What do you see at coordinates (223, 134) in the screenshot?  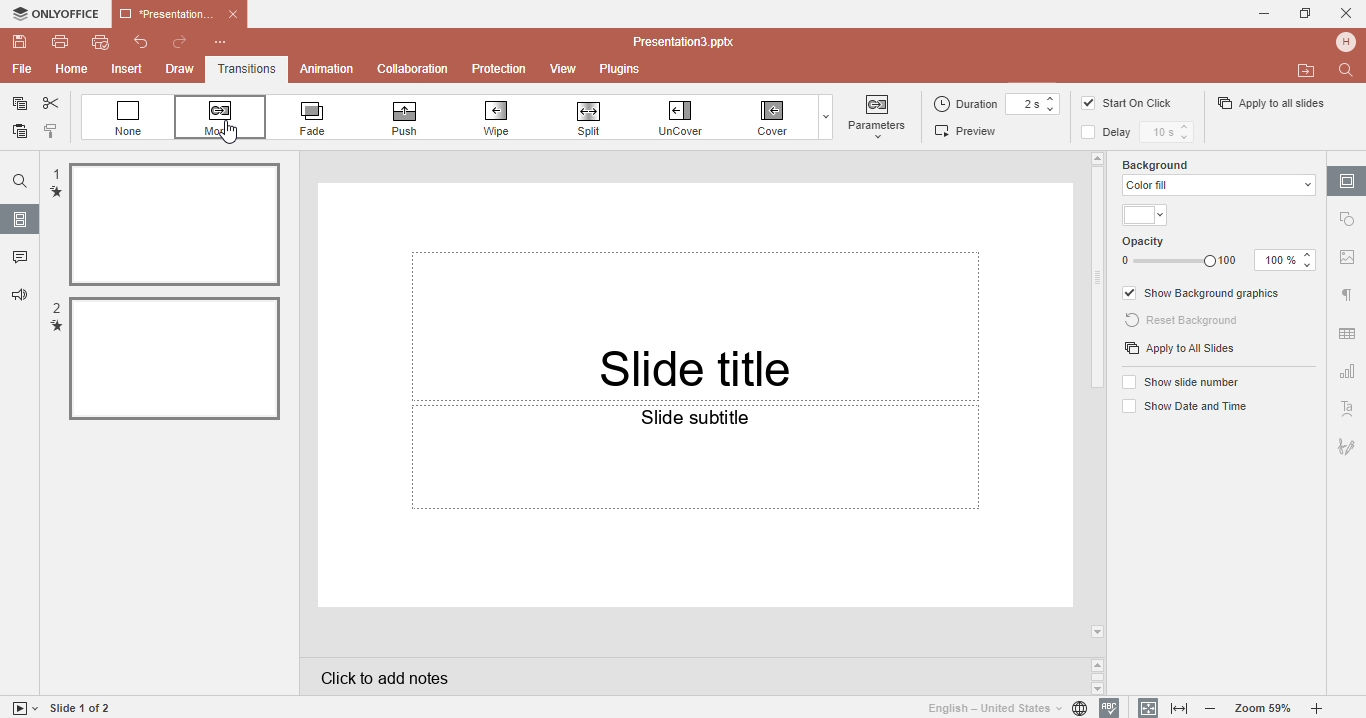 I see `Cursor on mode` at bounding box center [223, 134].